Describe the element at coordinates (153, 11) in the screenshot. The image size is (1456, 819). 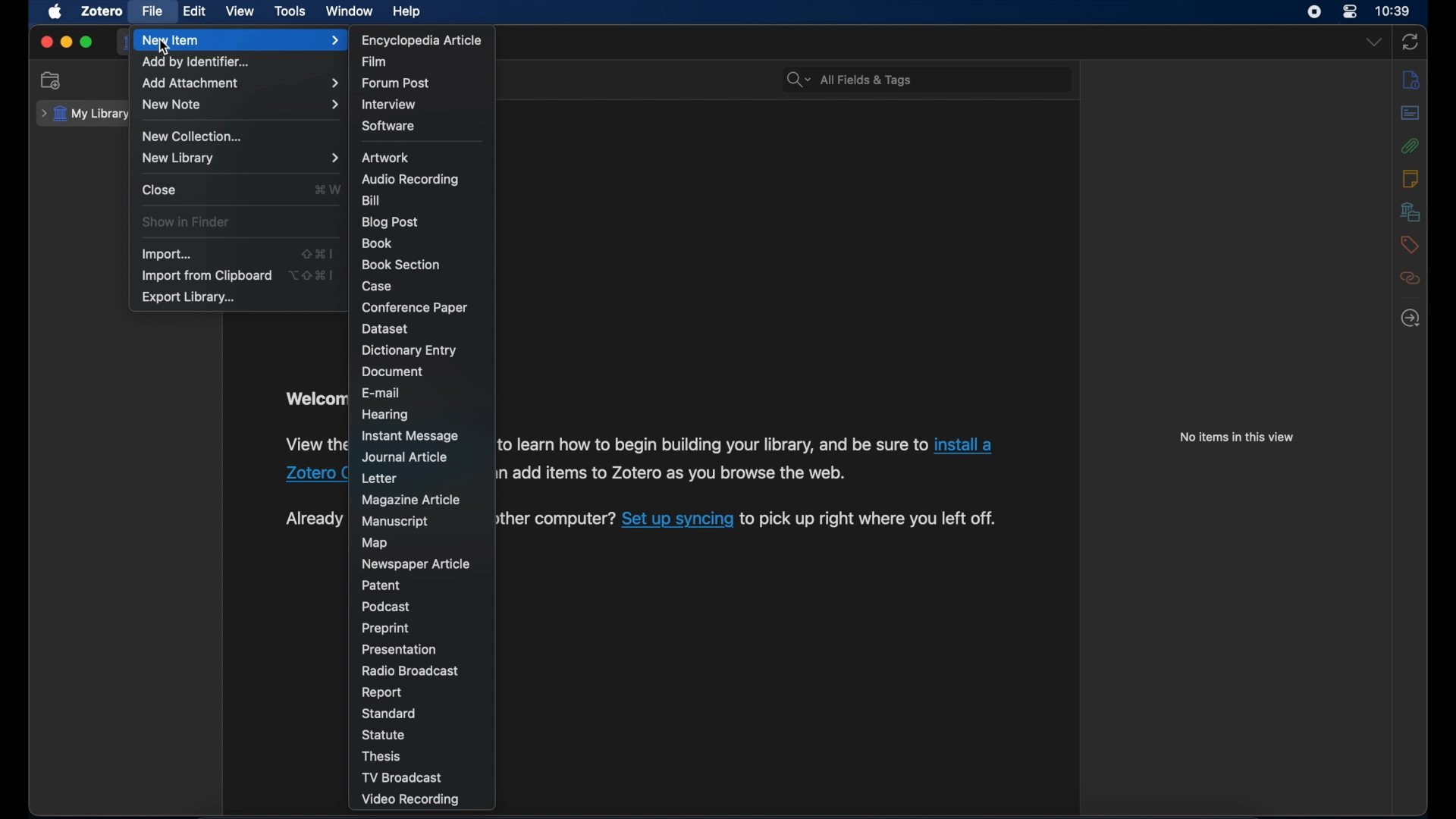
I see `file` at that location.